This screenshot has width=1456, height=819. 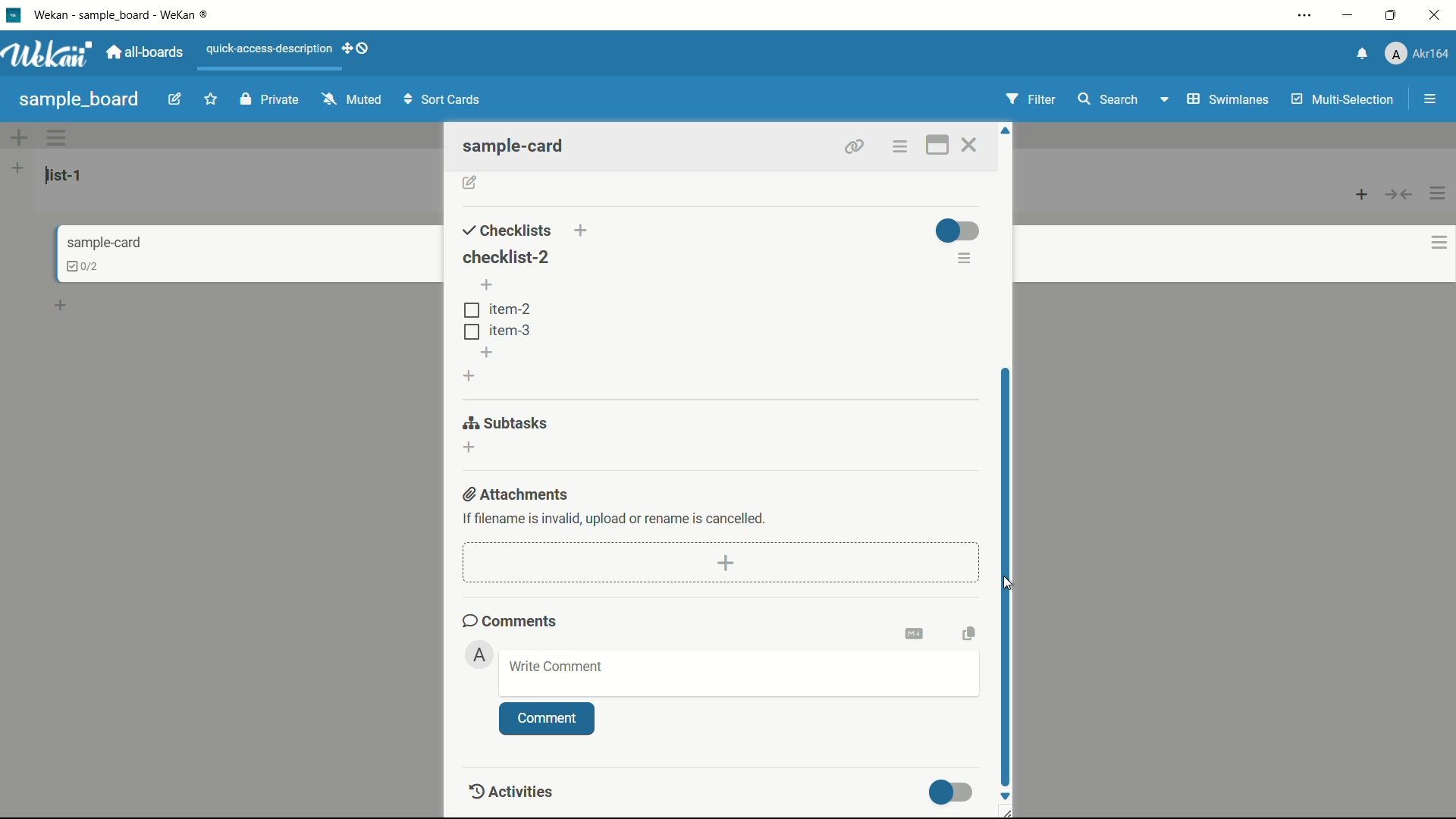 I want to click on card name, so click(x=102, y=243).